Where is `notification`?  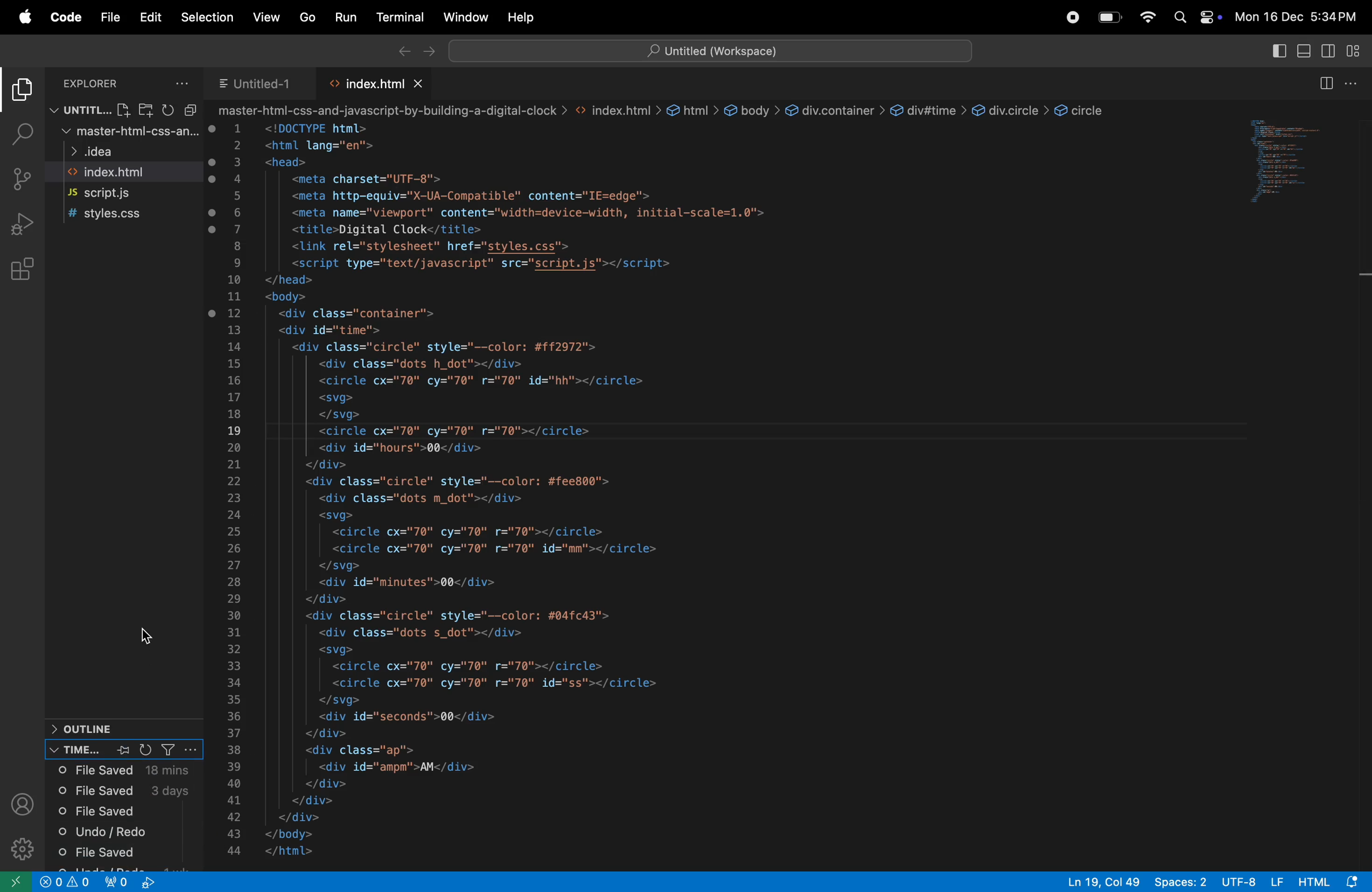 notification is located at coordinates (1354, 882).